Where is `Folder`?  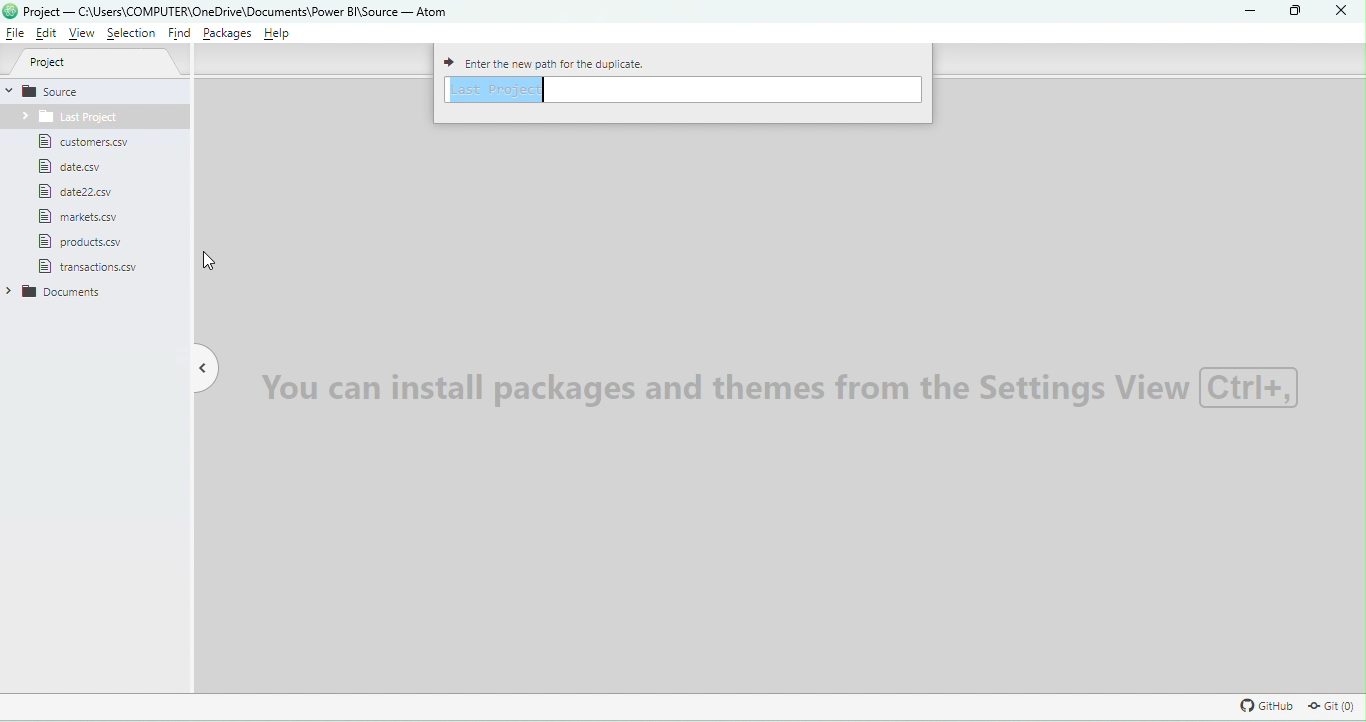 Folder is located at coordinates (65, 118).